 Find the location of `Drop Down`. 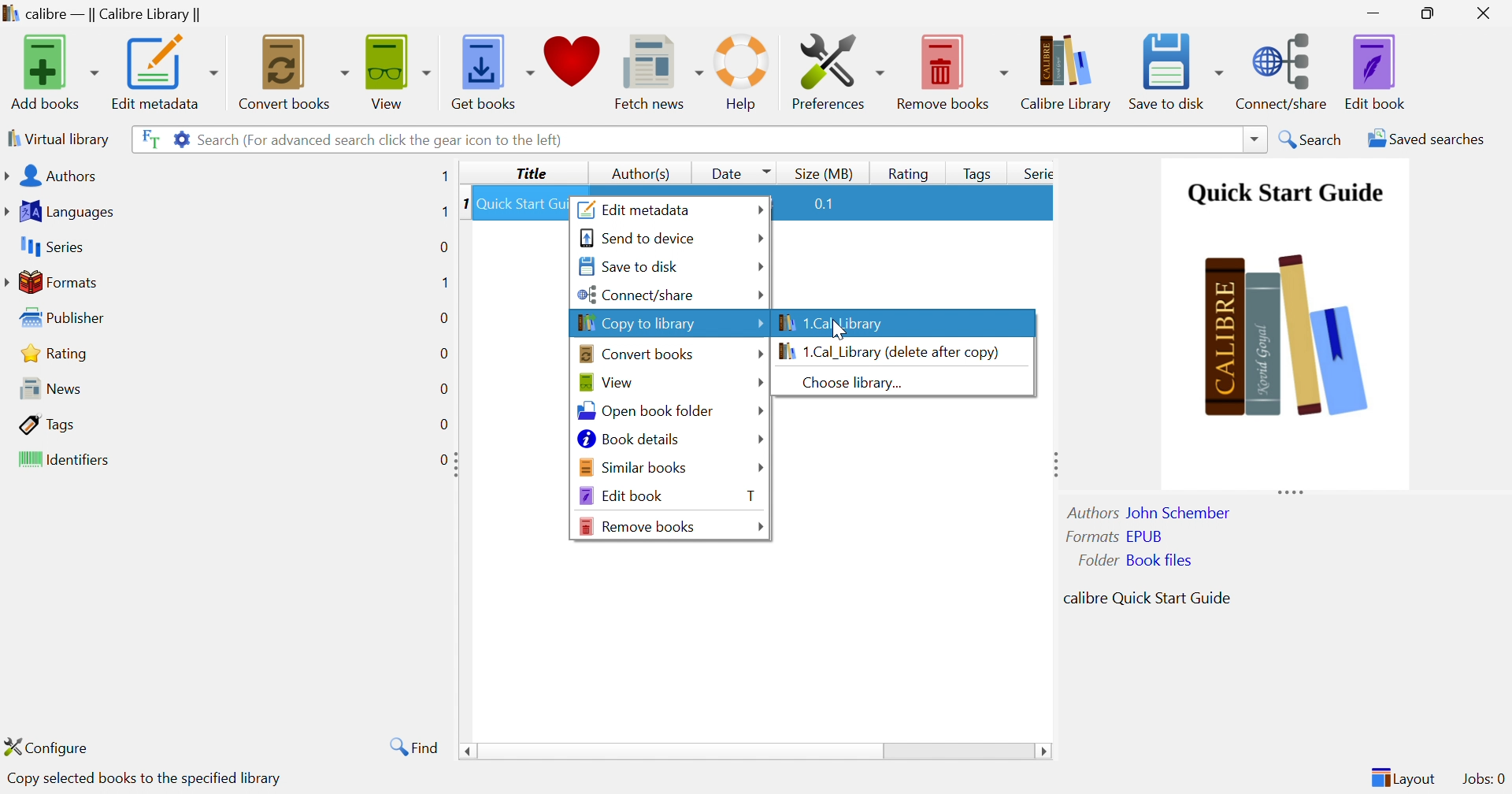

Drop Down is located at coordinates (1251, 138).